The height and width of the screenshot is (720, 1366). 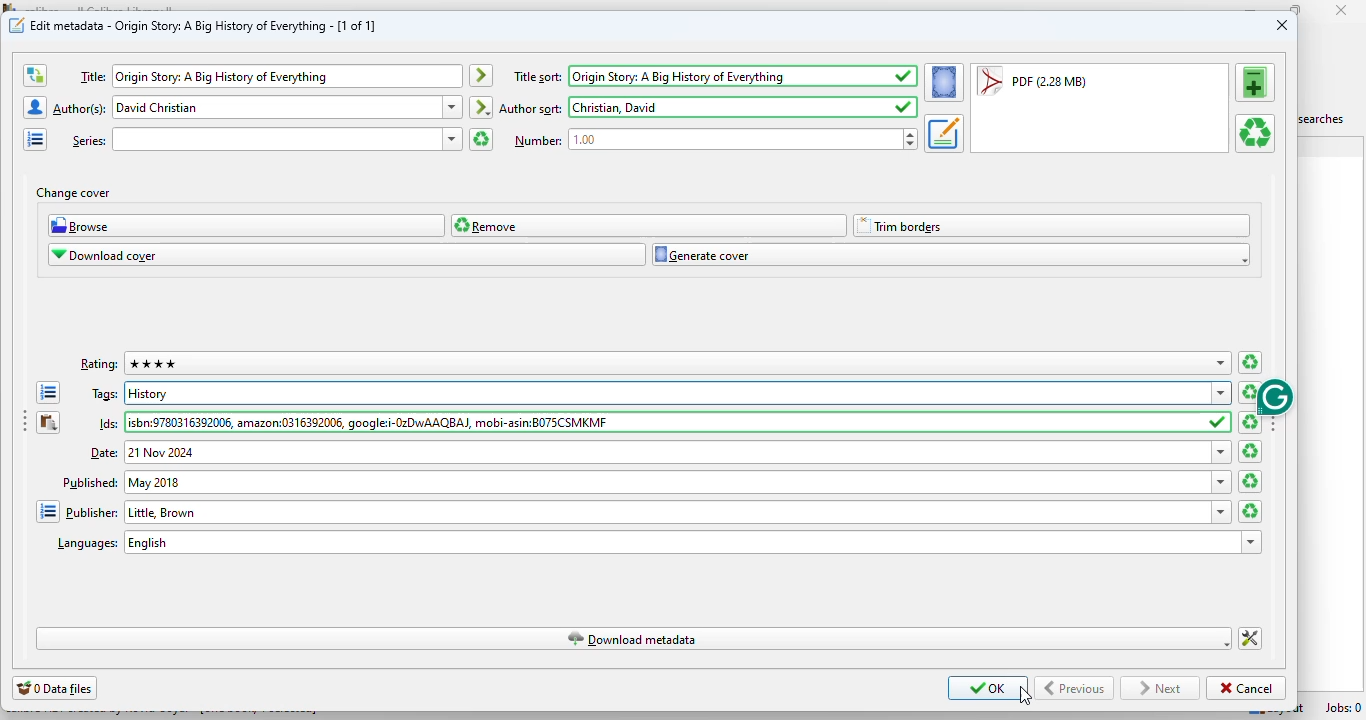 I want to click on Ids:, so click(x=665, y=423).